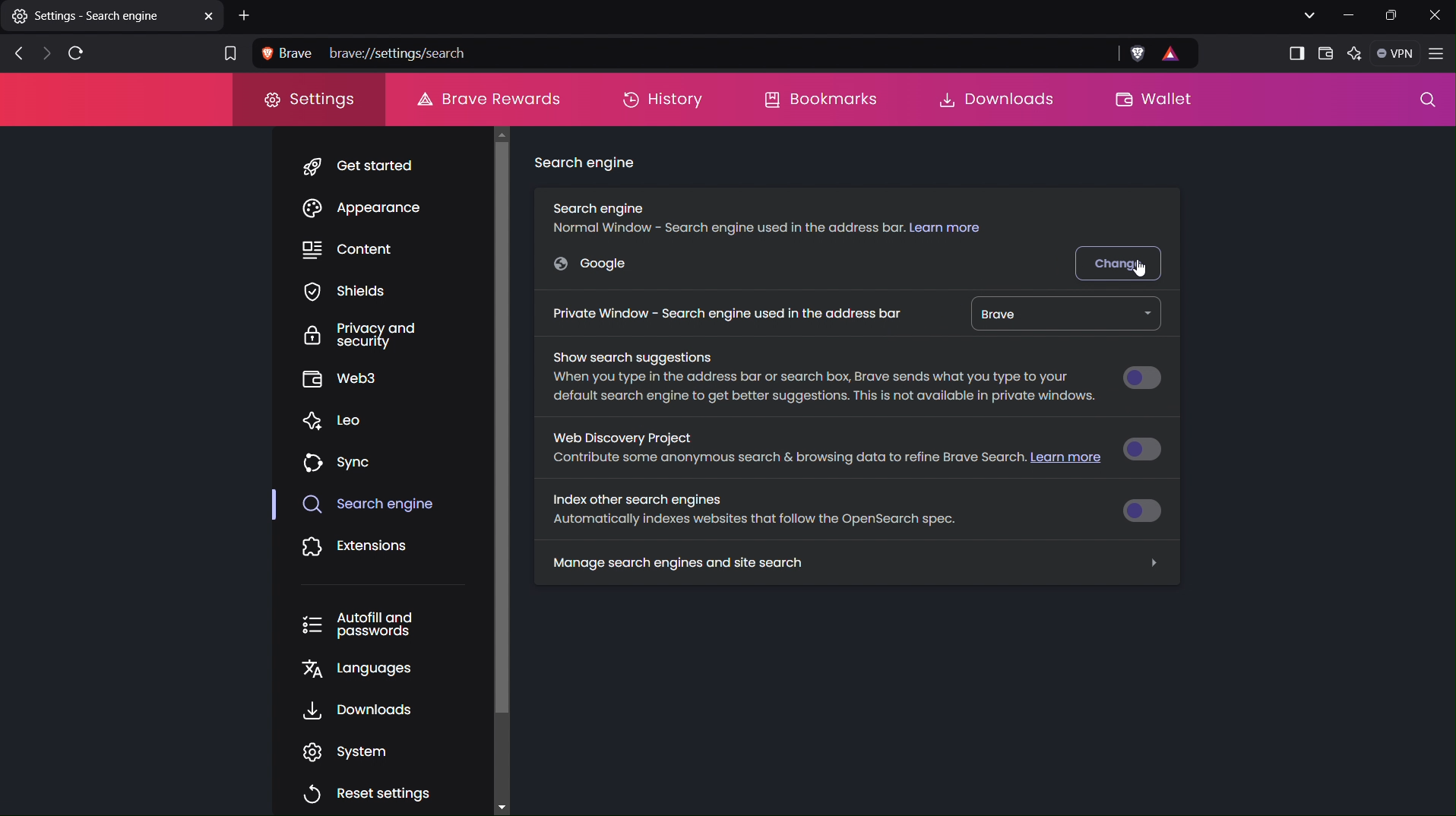 The height and width of the screenshot is (816, 1456). What do you see at coordinates (1293, 52) in the screenshot?
I see `Show sidebar` at bounding box center [1293, 52].